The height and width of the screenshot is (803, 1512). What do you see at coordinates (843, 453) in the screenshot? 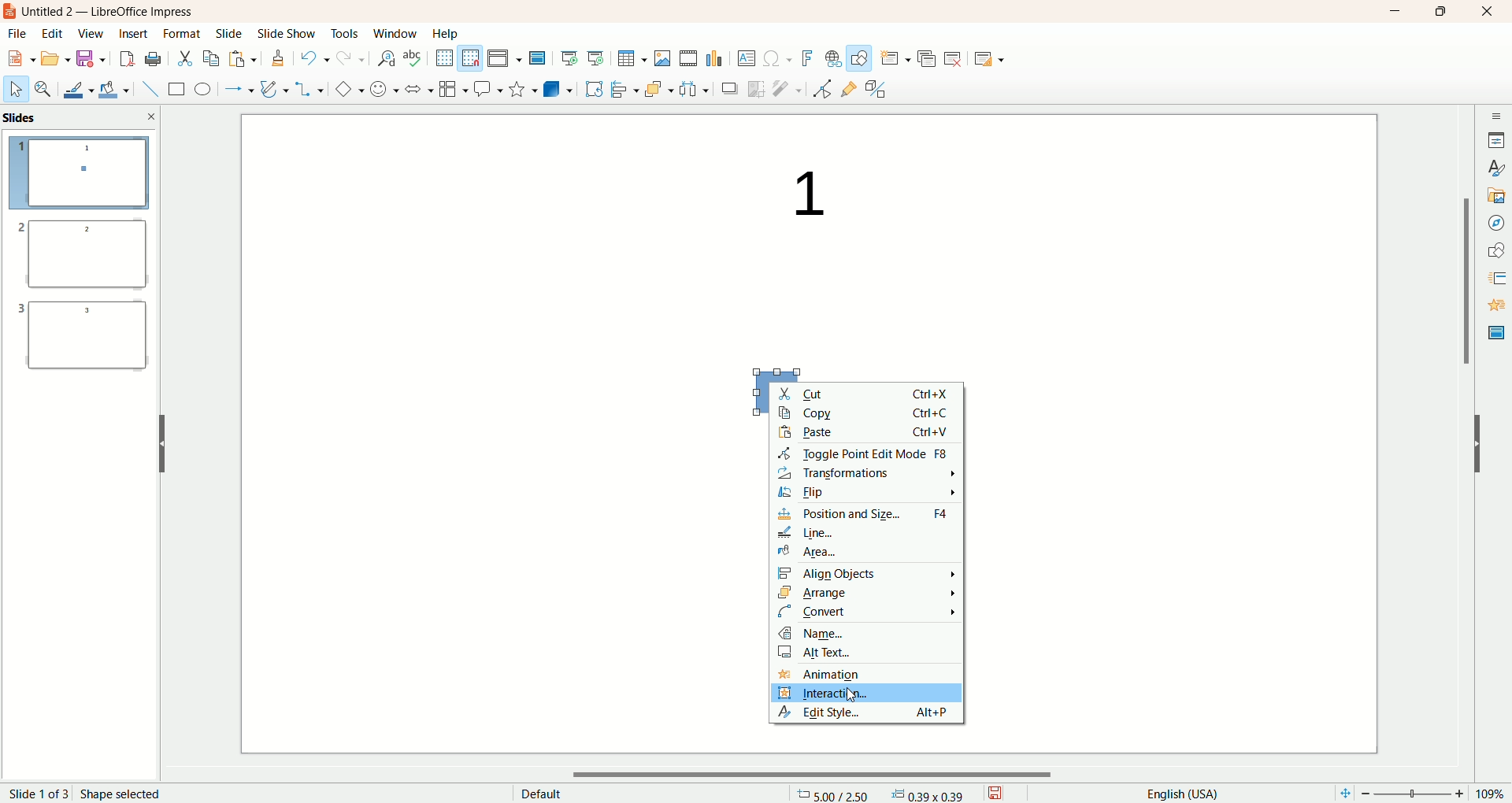
I see `toggle point edit` at bounding box center [843, 453].